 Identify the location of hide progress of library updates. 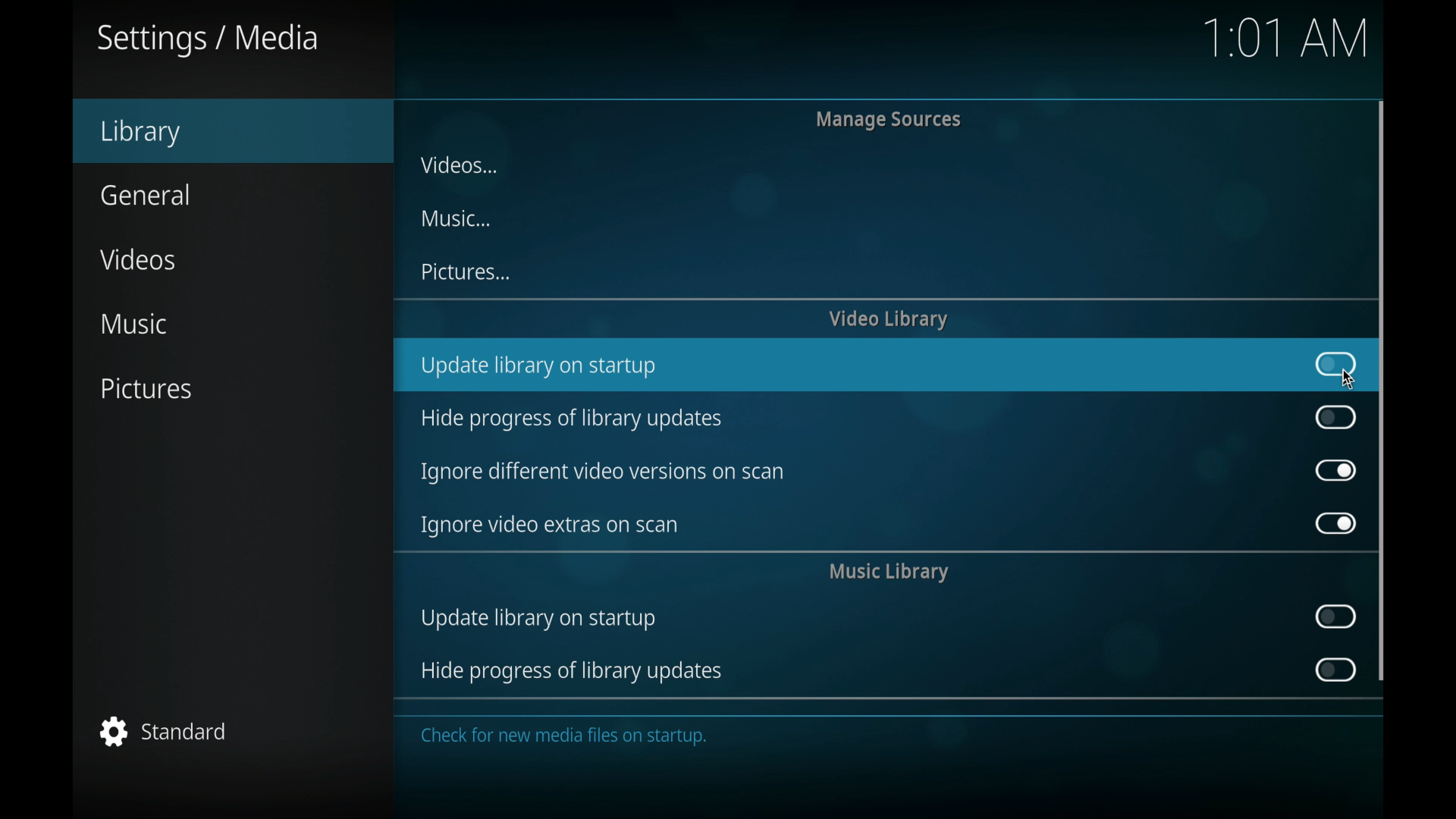
(570, 673).